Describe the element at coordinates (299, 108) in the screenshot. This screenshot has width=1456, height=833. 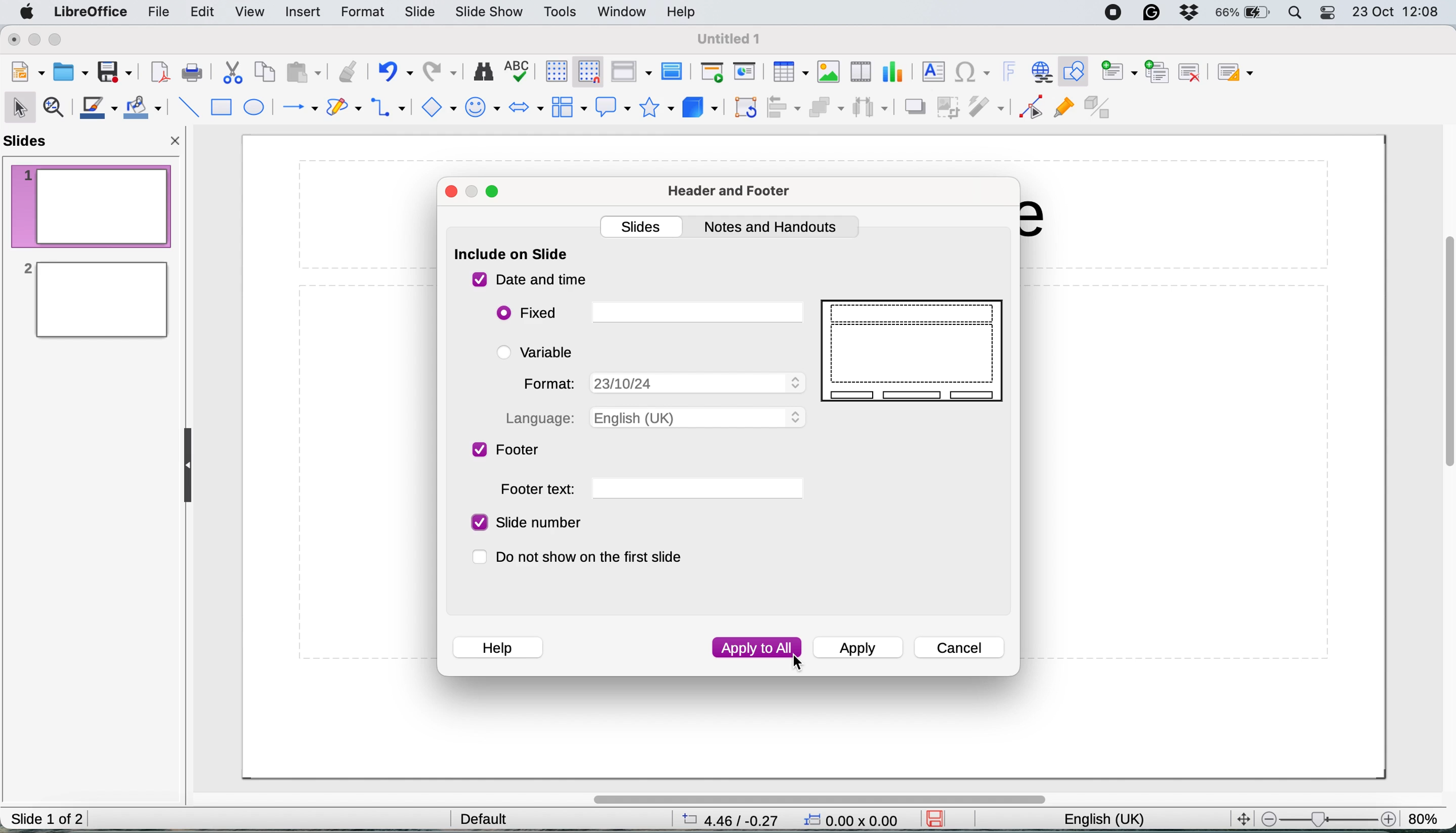
I see `insert arrow lines` at that location.